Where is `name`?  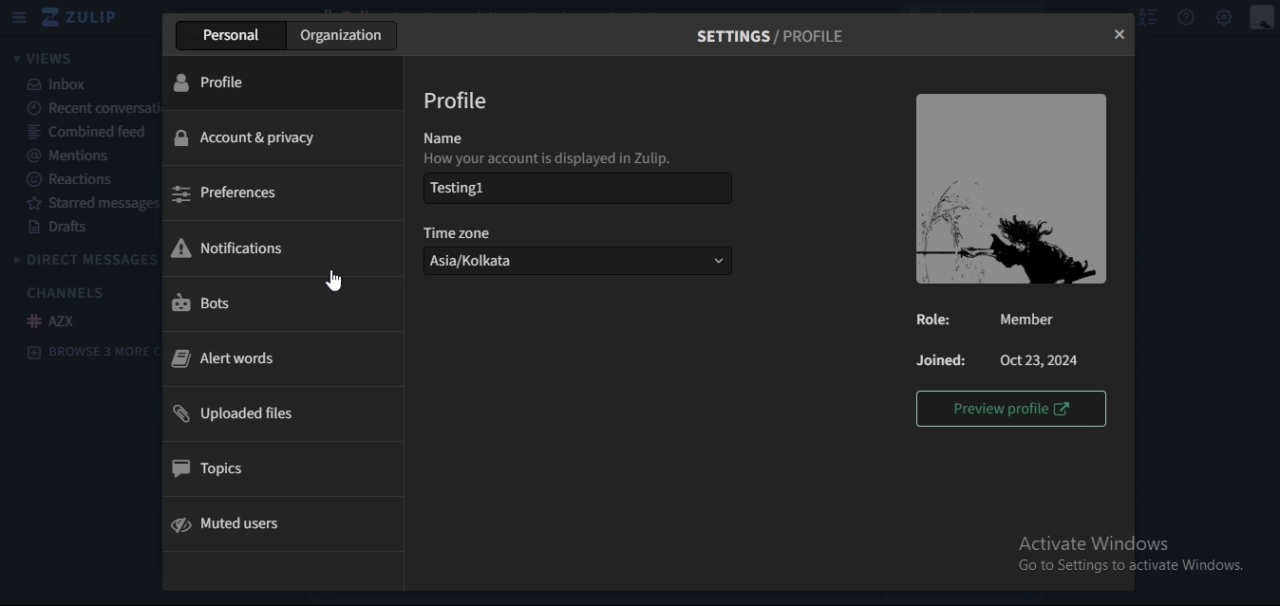 name is located at coordinates (449, 138).